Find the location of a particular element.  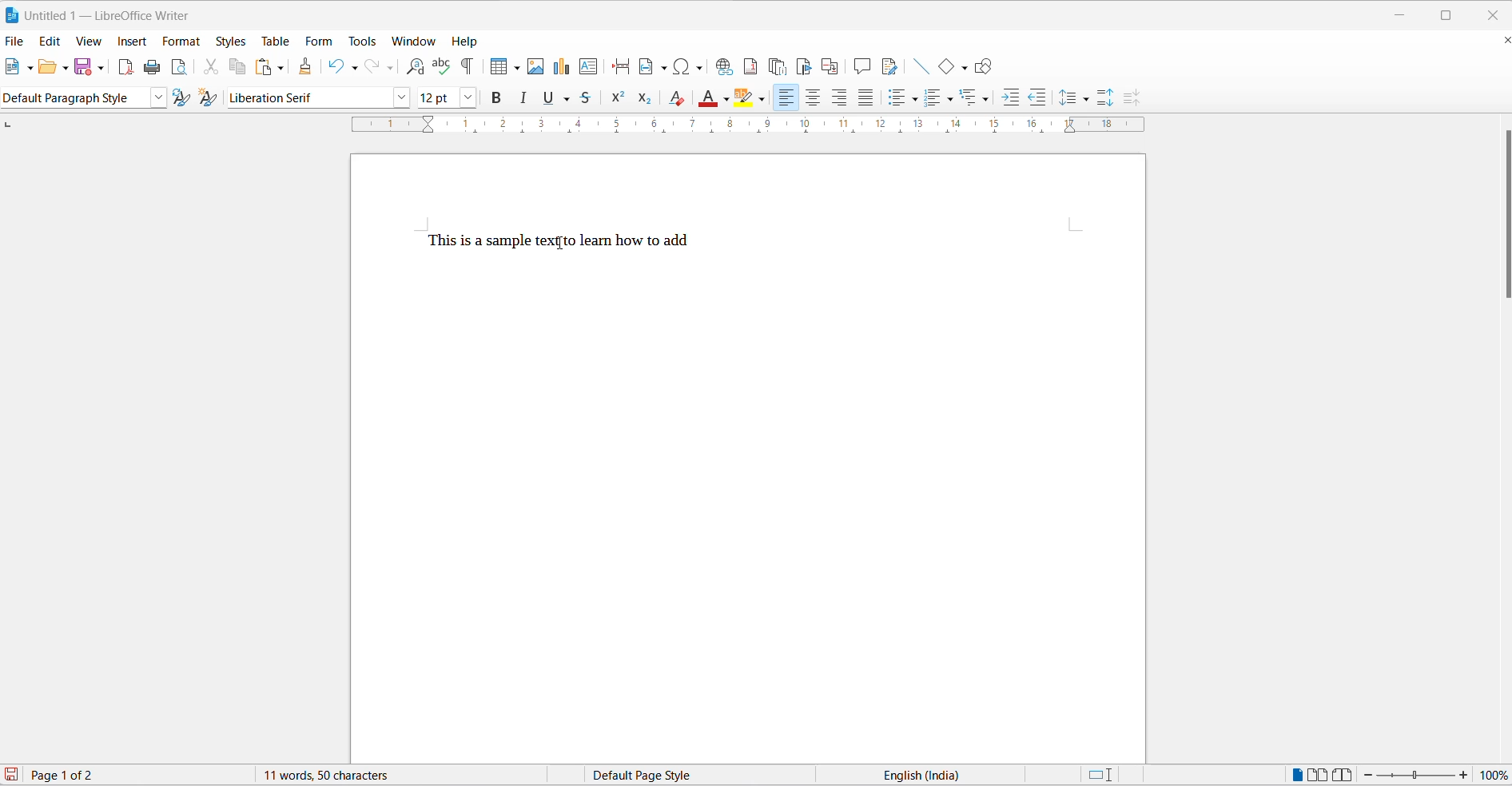

styles is located at coordinates (230, 41).